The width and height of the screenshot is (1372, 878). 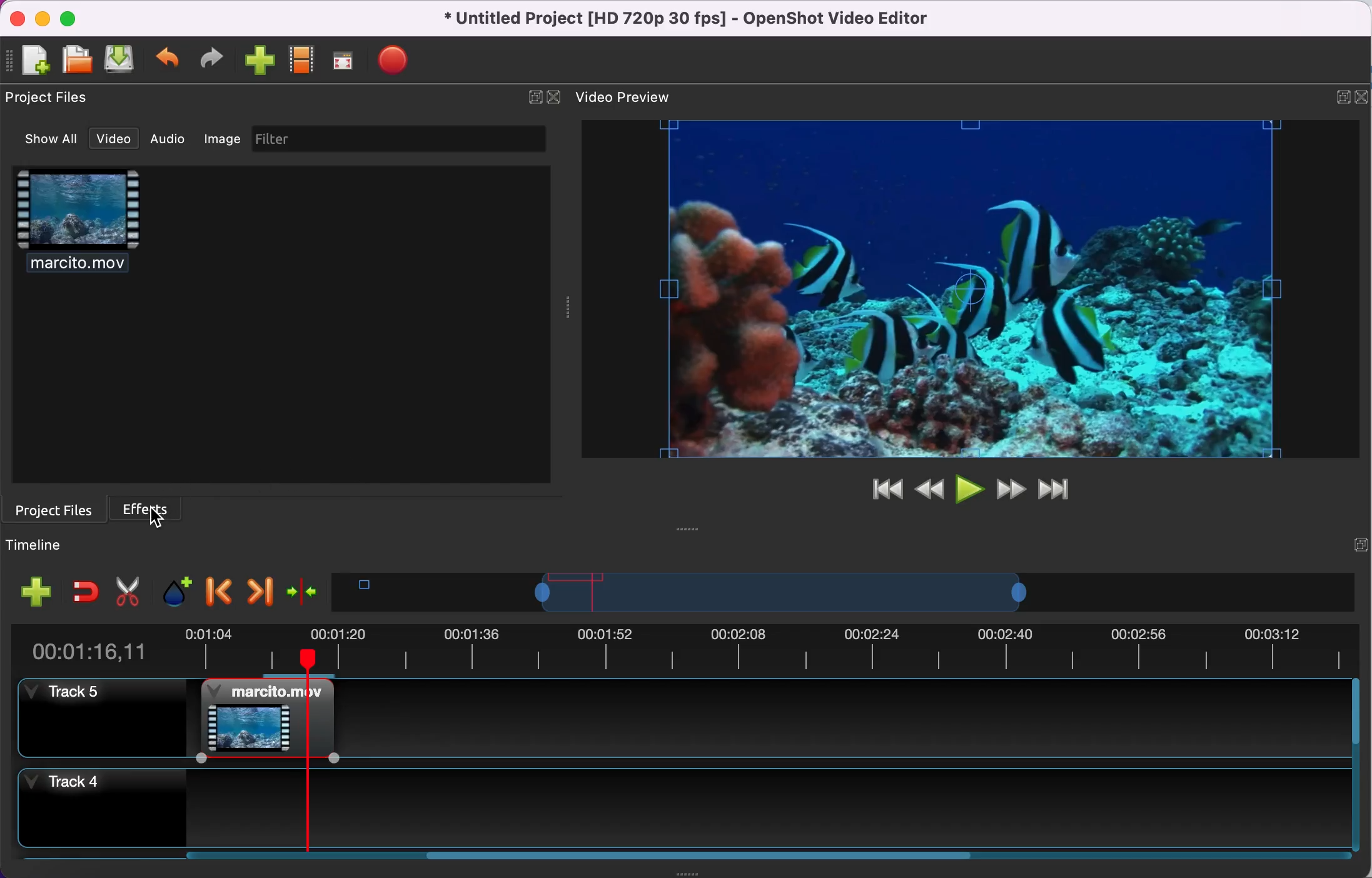 What do you see at coordinates (341, 63) in the screenshot?
I see `fullscreen` at bounding box center [341, 63].